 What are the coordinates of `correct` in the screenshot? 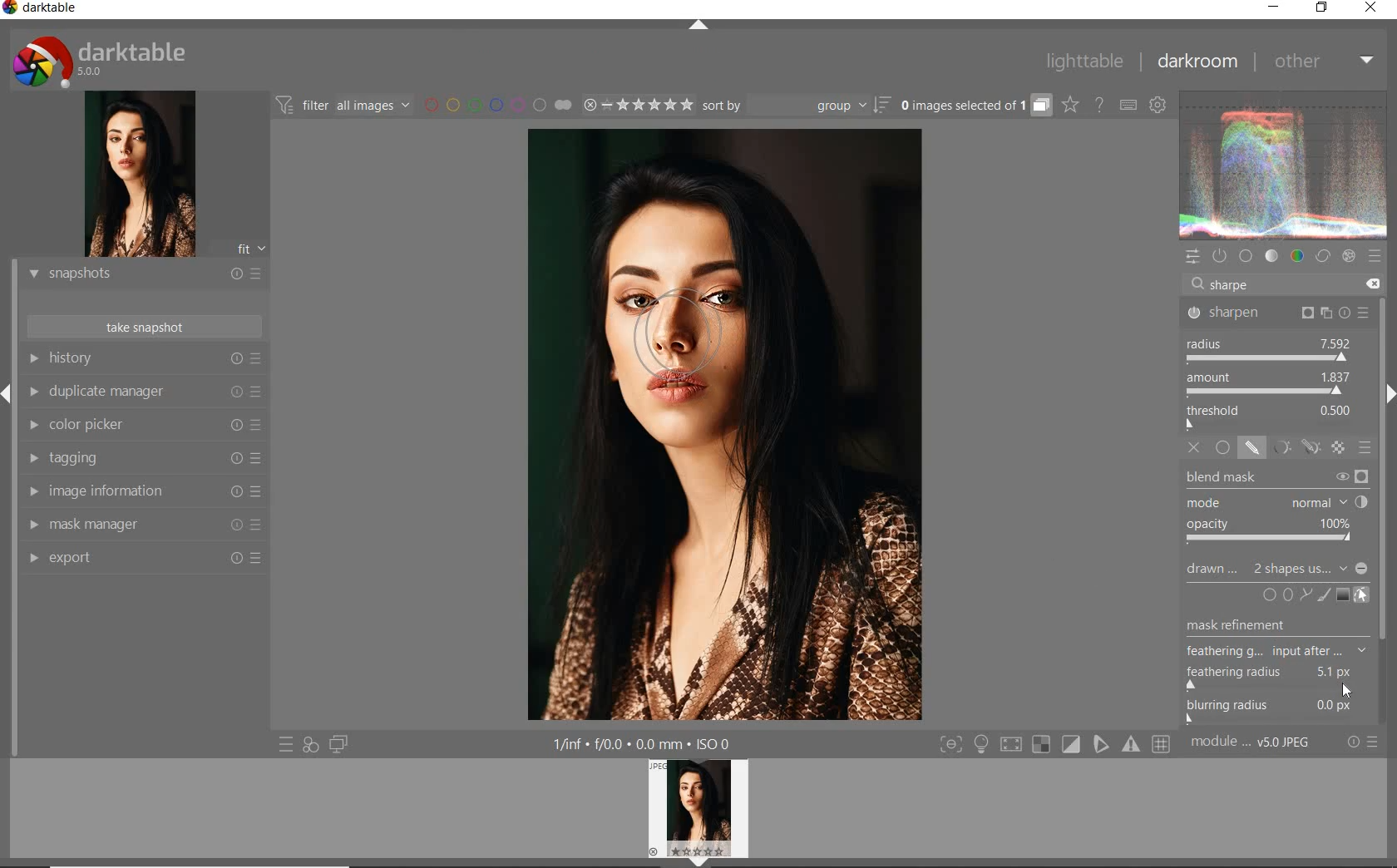 It's located at (1323, 257).